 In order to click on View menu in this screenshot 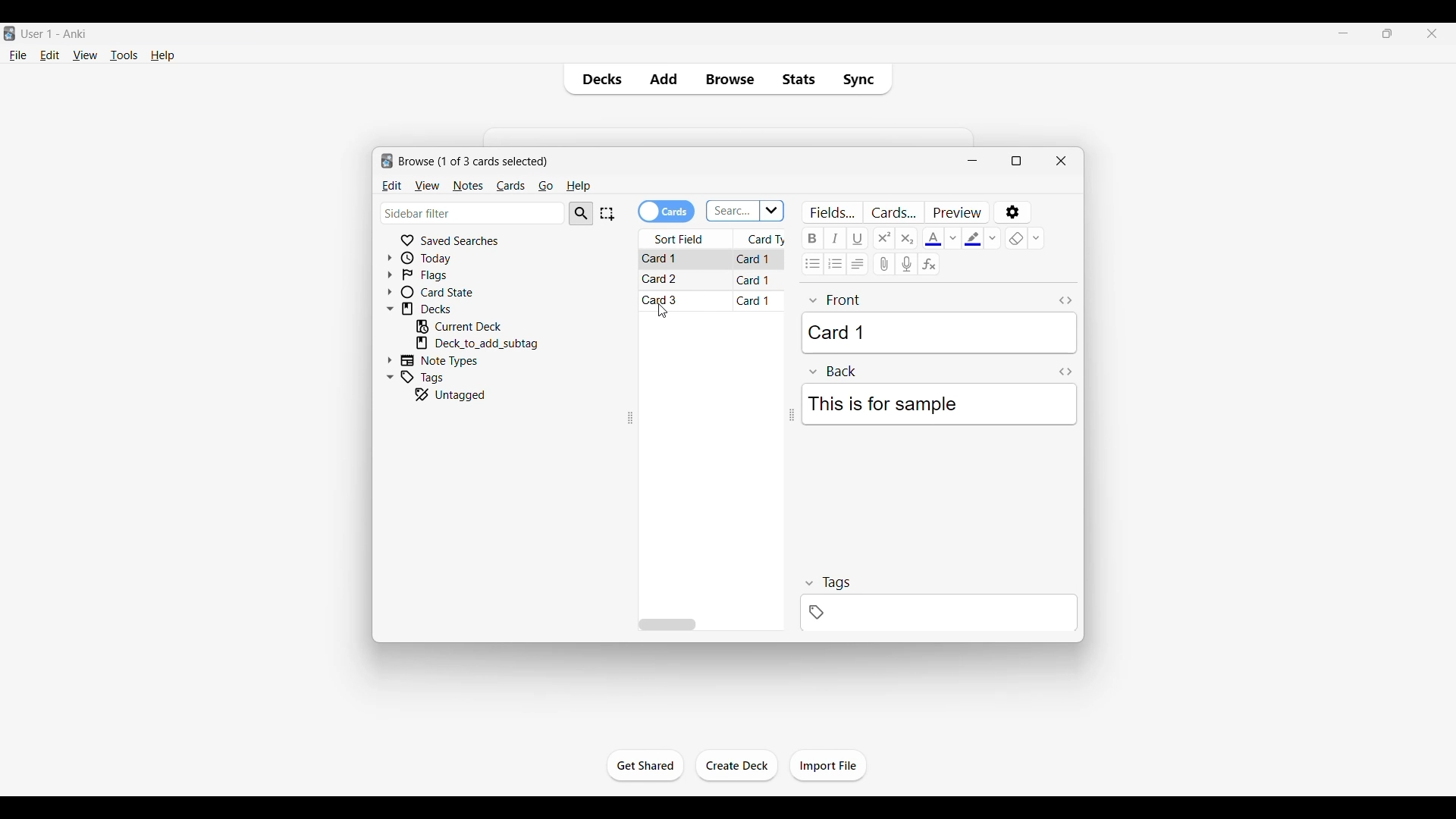, I will do `click(427, 187)`.